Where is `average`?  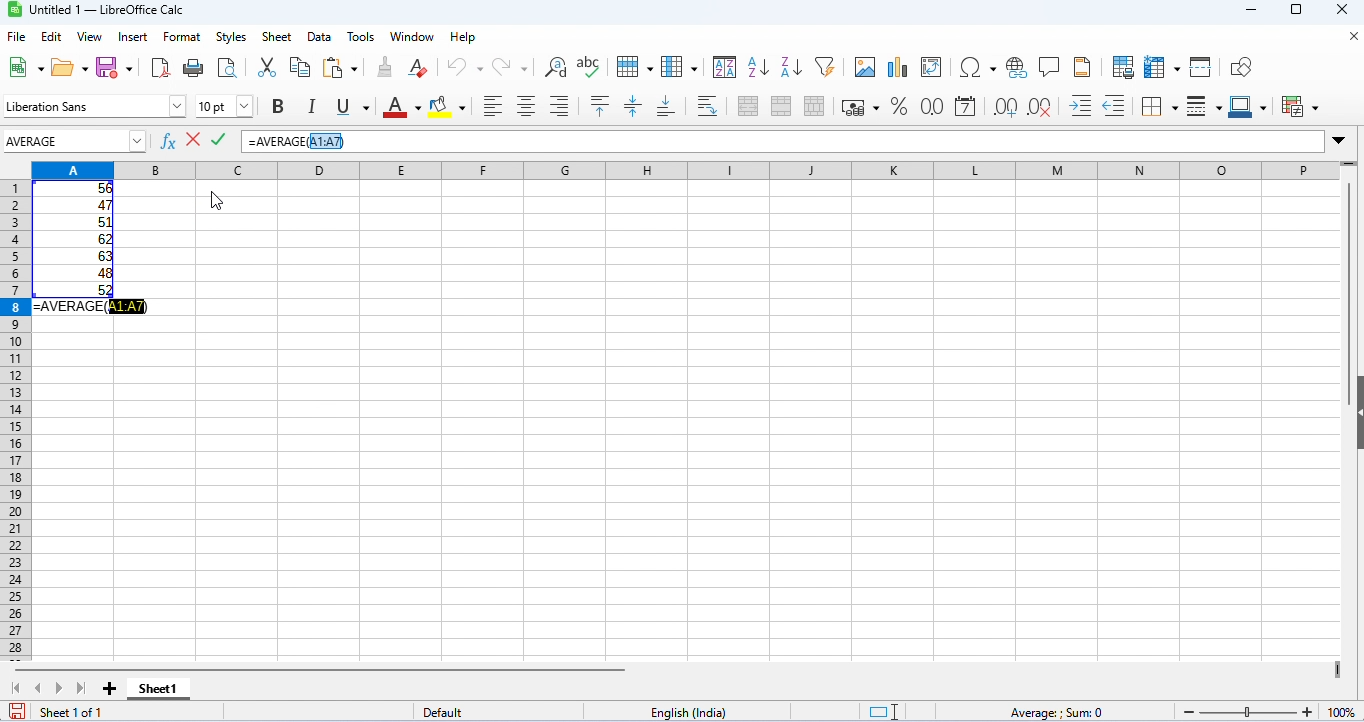
average is located at coordinates (64, 141).